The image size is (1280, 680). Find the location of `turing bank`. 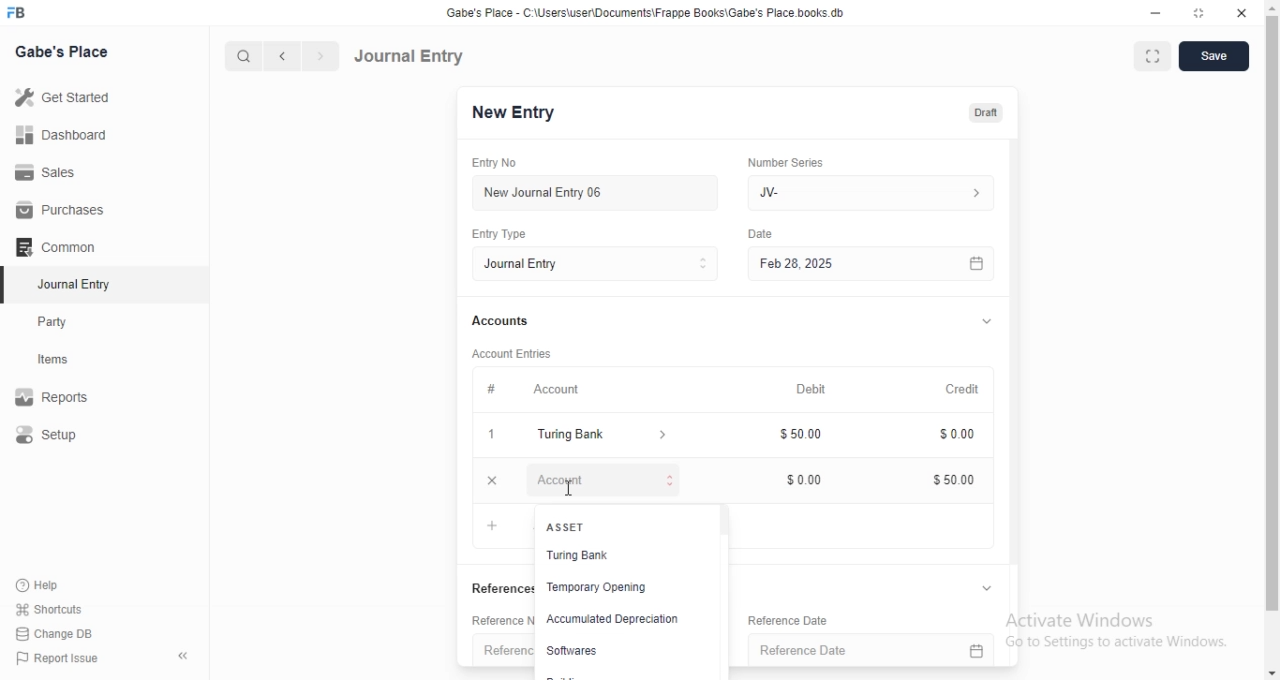

turing bank is located at coordinates (606, 436).